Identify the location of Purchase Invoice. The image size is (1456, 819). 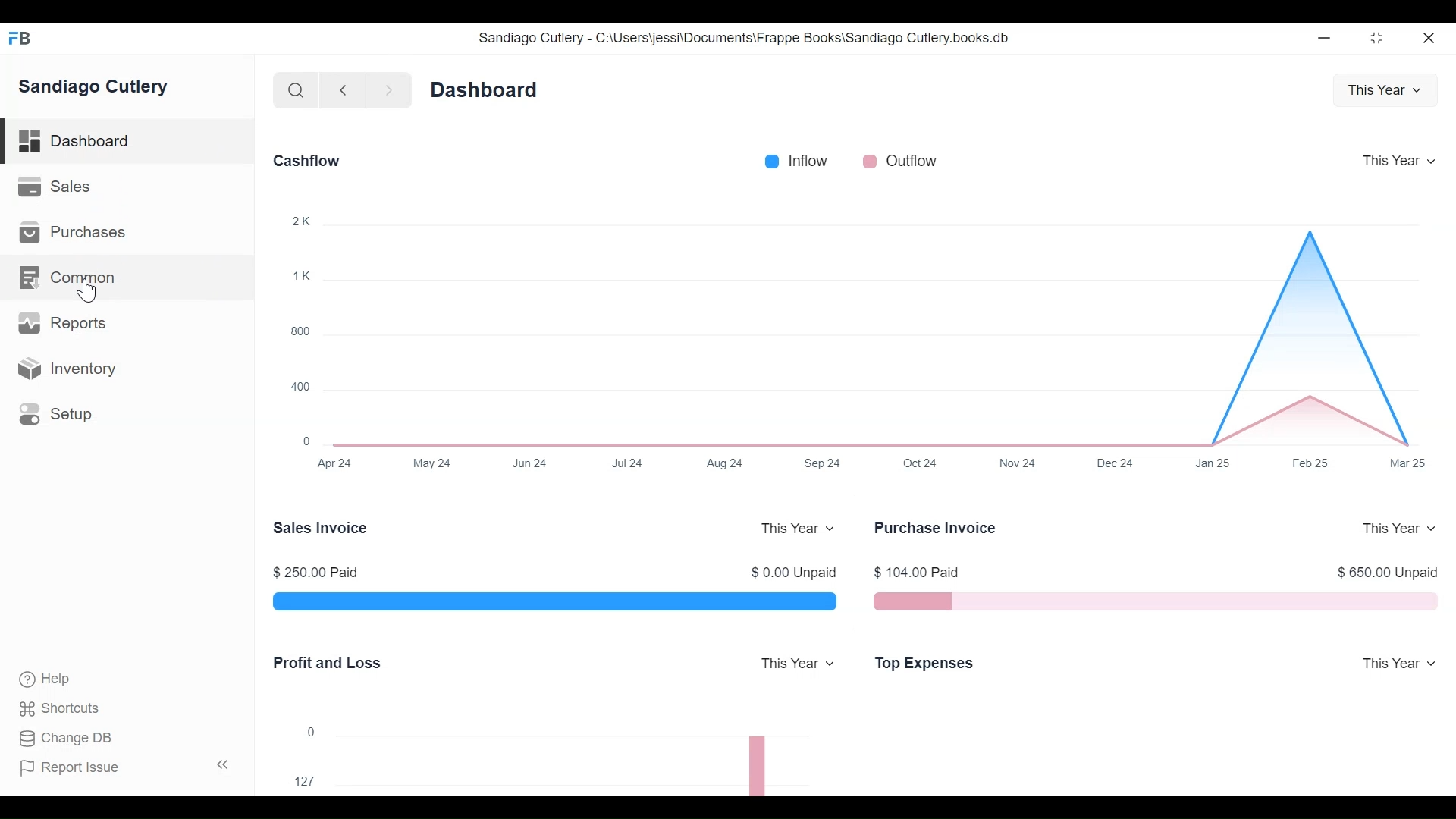
(940, 526).